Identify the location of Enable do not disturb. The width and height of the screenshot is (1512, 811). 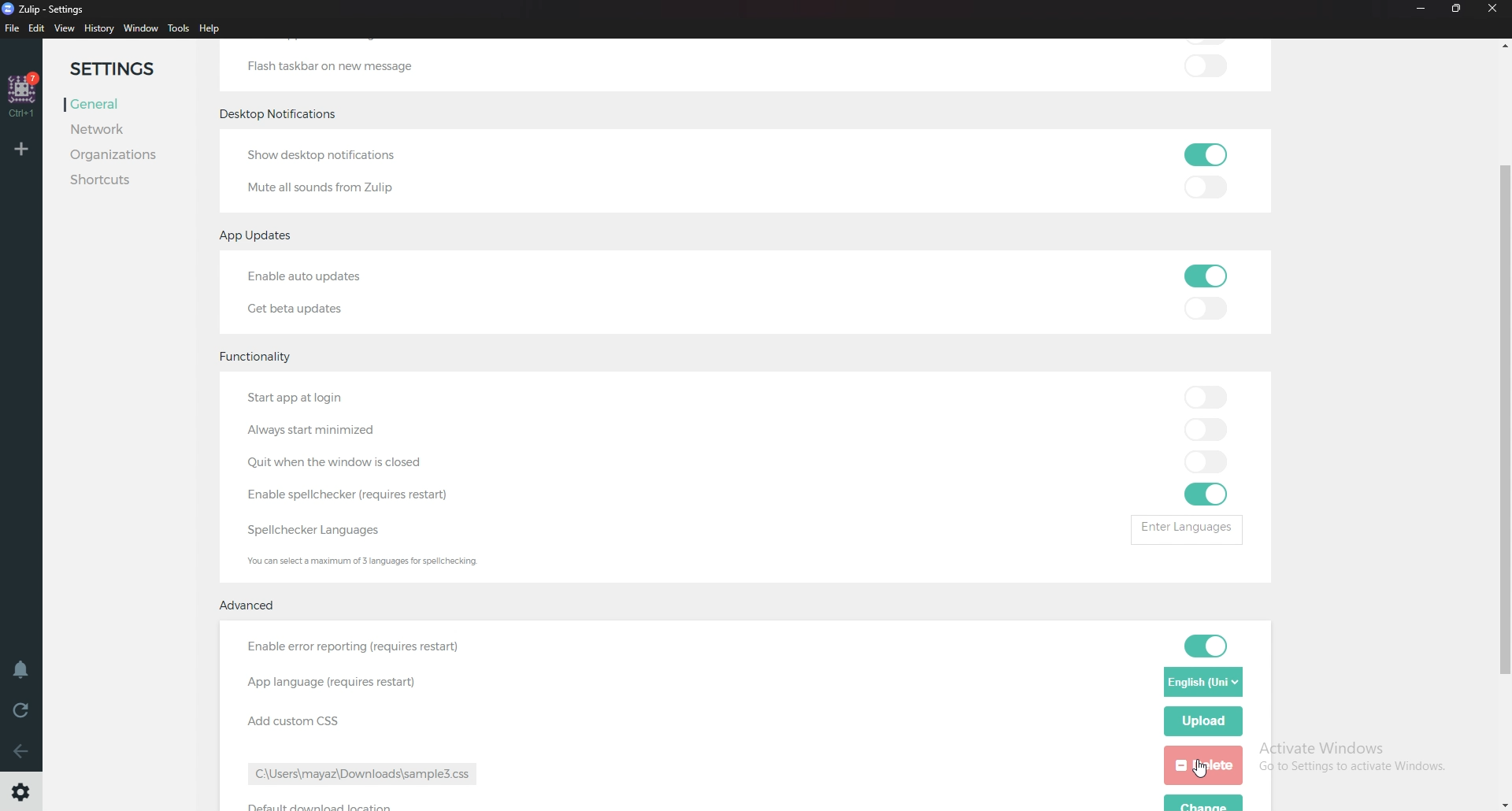
(25, 670).